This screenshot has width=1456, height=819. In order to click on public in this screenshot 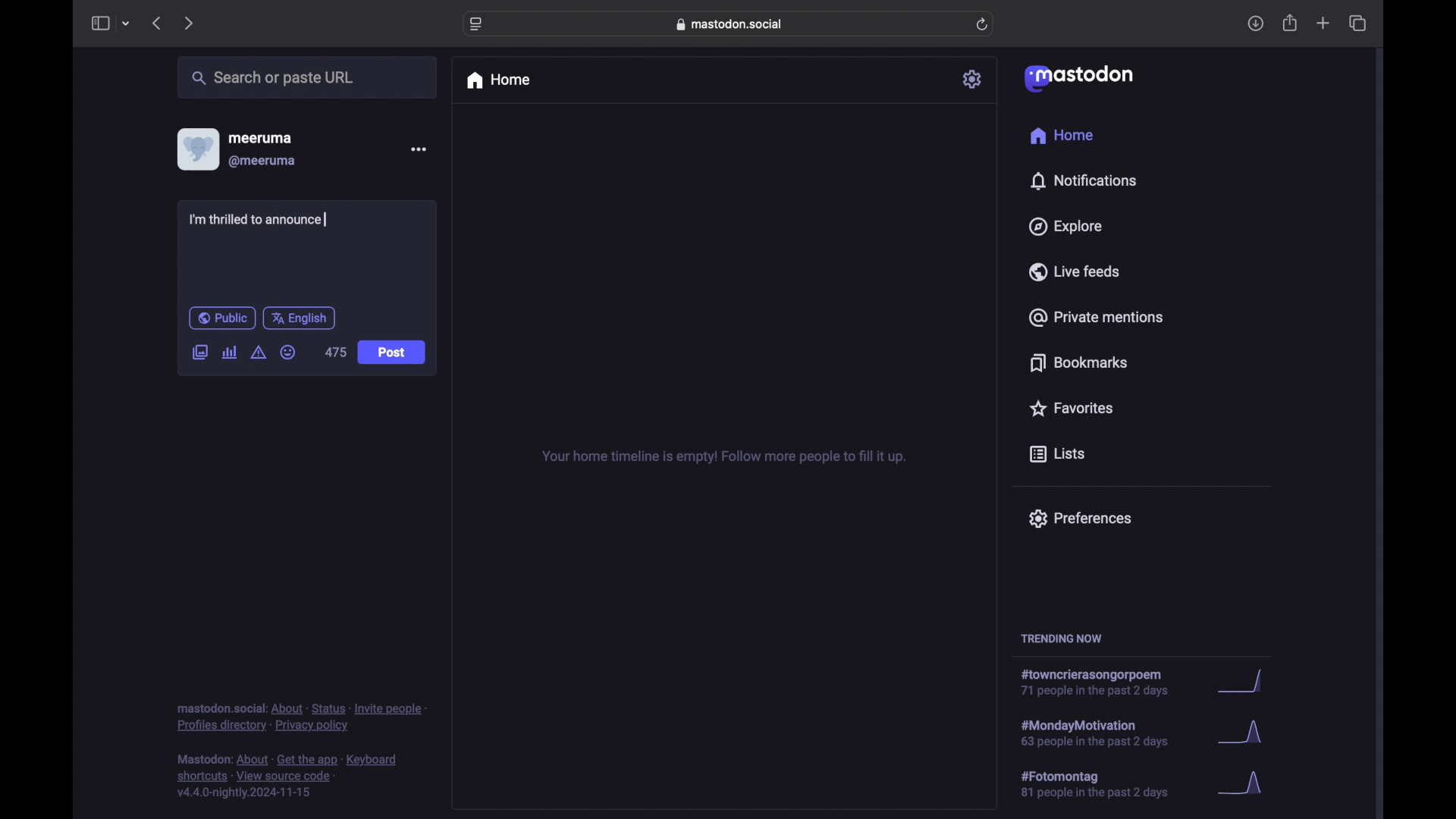, I will do `click(222, 318)`.